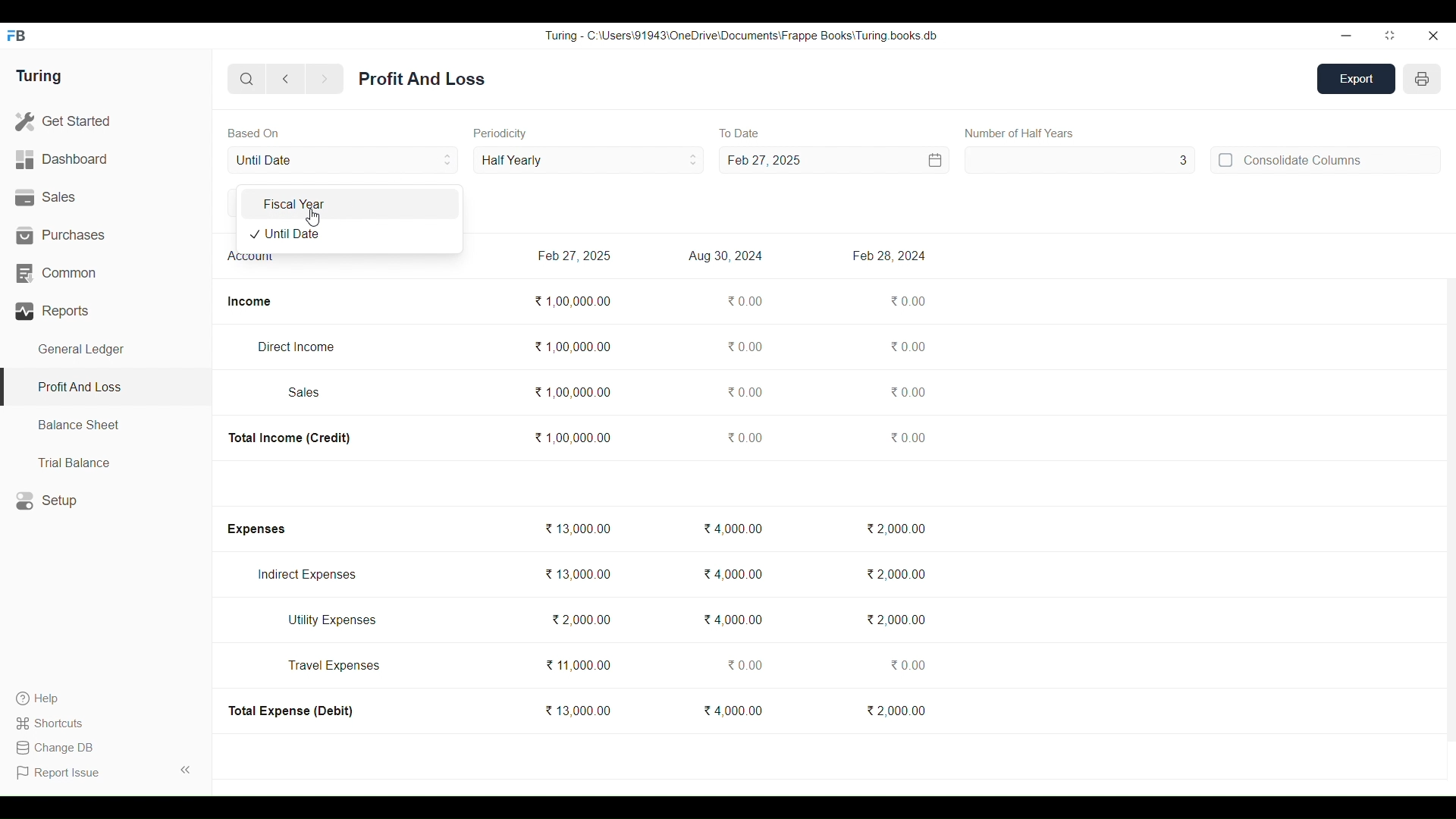 Image resolution: width=1456 pixels, height=819 pixels. I want to click on Trial Balance, so click(106, 462).